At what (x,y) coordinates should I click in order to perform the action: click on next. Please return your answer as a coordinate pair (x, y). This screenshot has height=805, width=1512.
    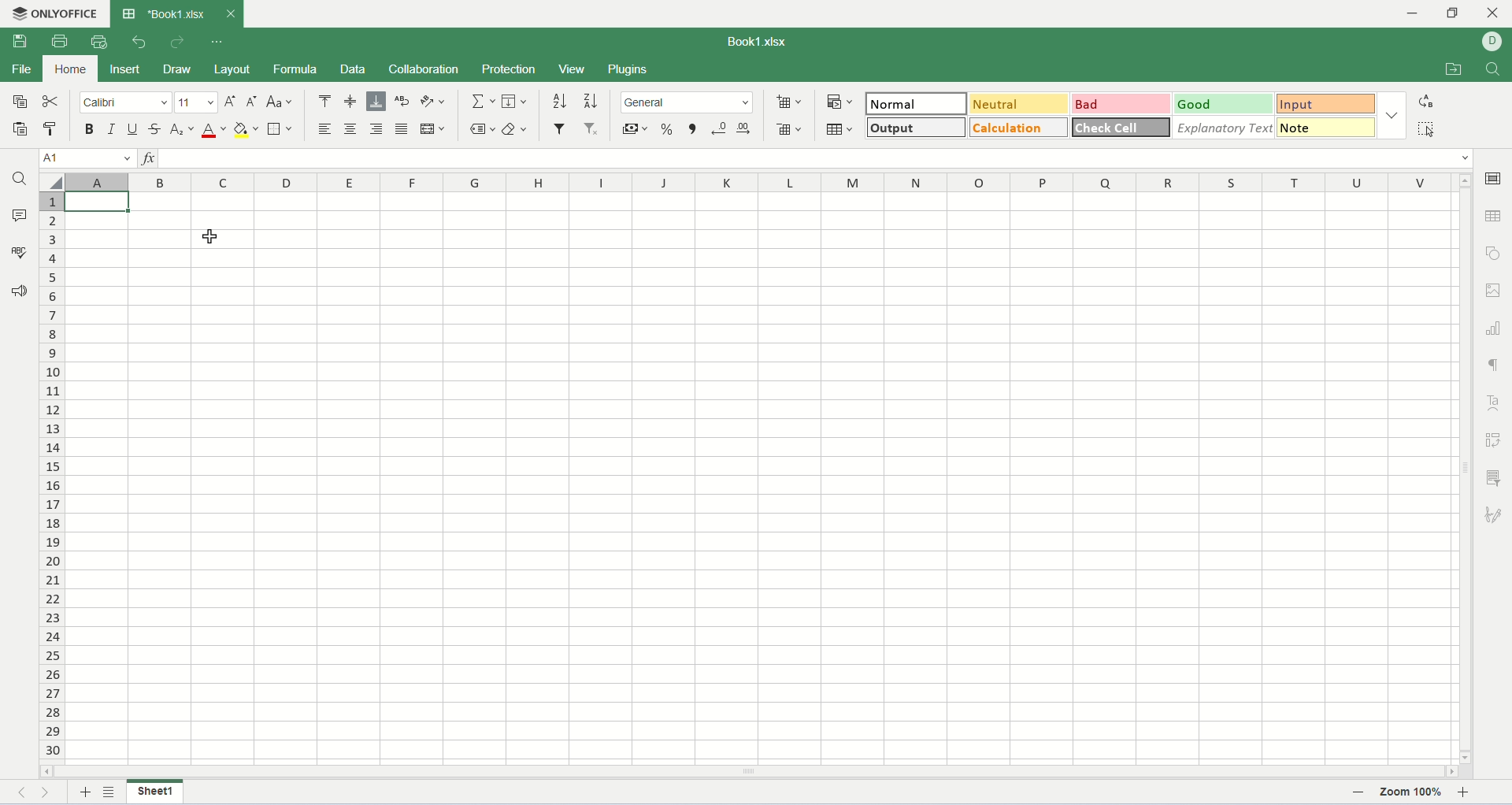
    Looking at the image, I should click on (45, 791).